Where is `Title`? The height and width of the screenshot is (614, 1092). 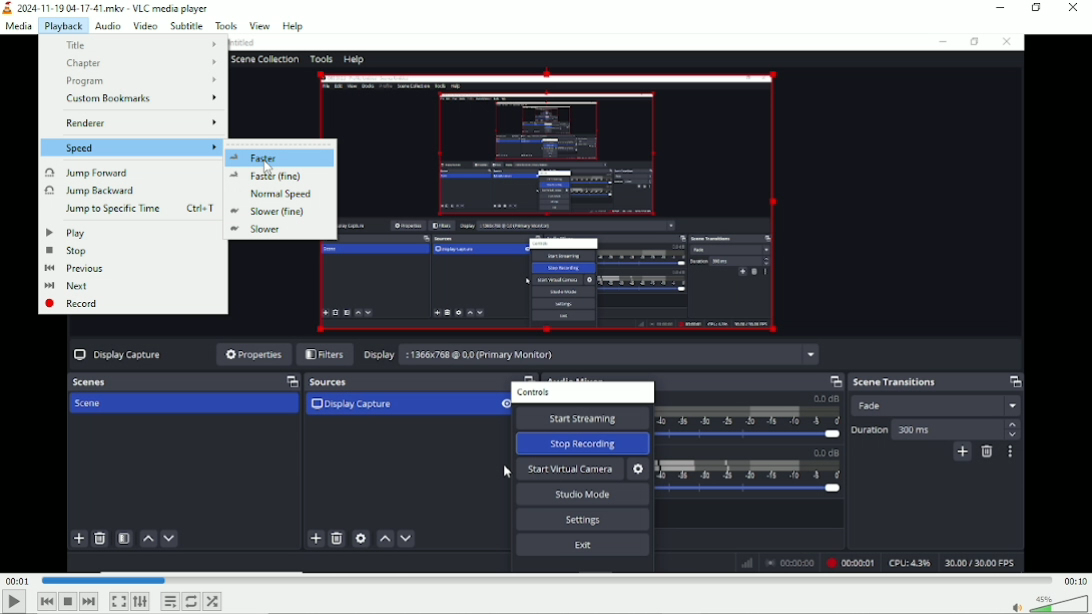
Title is located at coordinates (107, 7).